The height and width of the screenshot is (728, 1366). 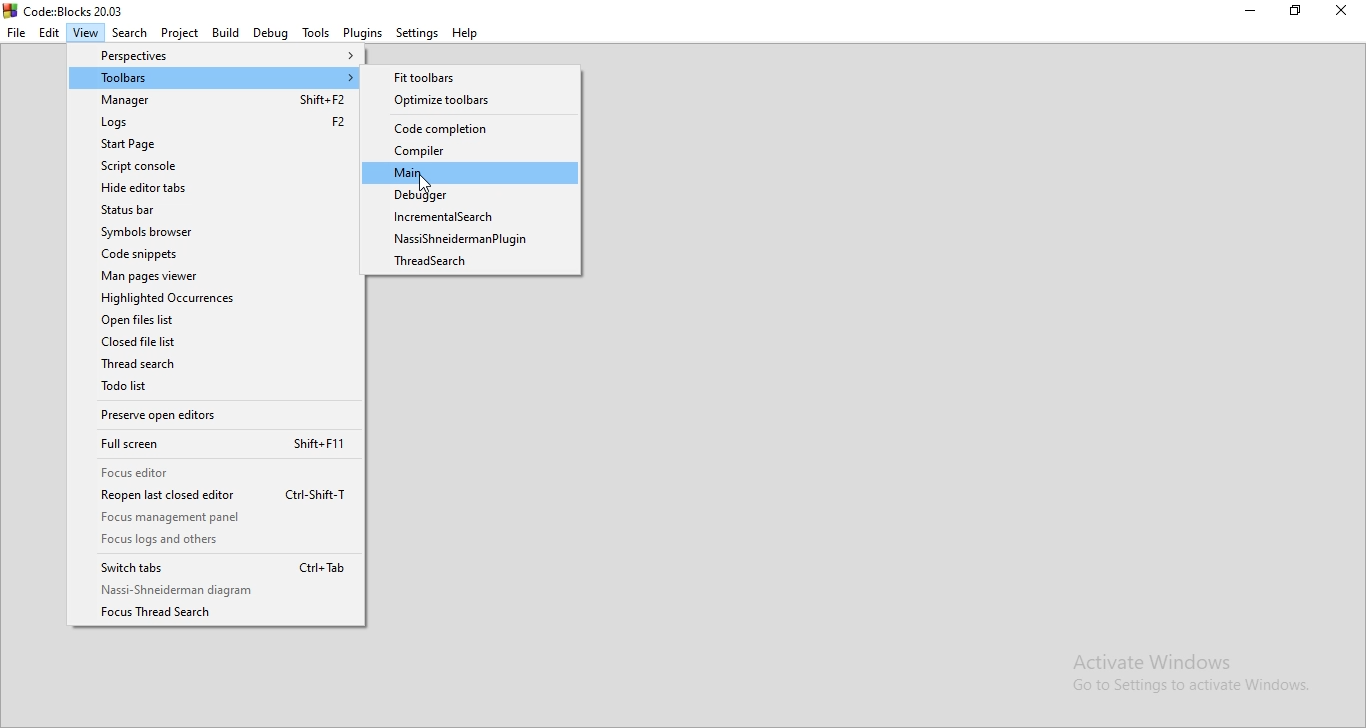 What do you see at coordinates (215, 591) in the screenshot?
I see `Nas-Shneiderman diagram` at bounding box center [215, 591].